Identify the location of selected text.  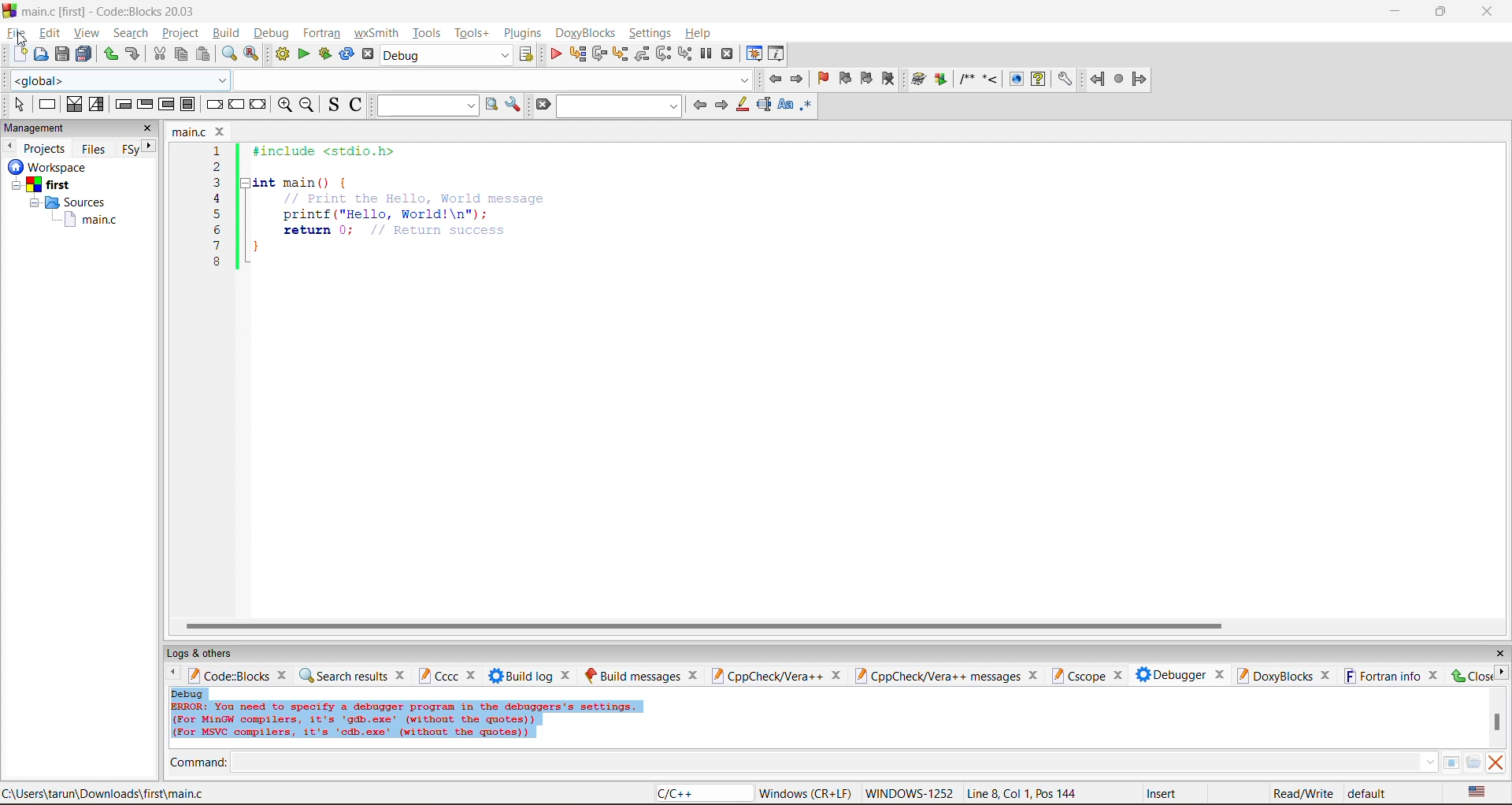
(764, 105).